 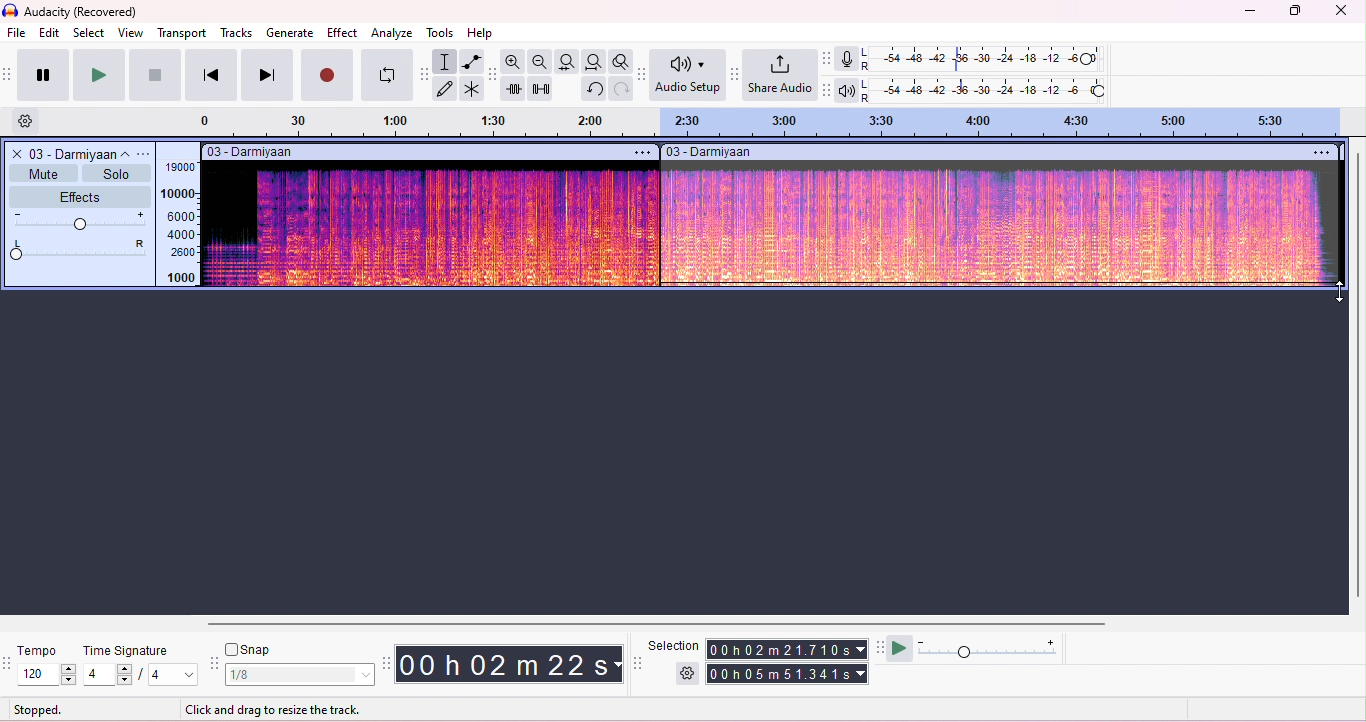 What do you see at coordinates (393, 33) in the screenshot?
I see `analyze` at bounding box center [393, 33].